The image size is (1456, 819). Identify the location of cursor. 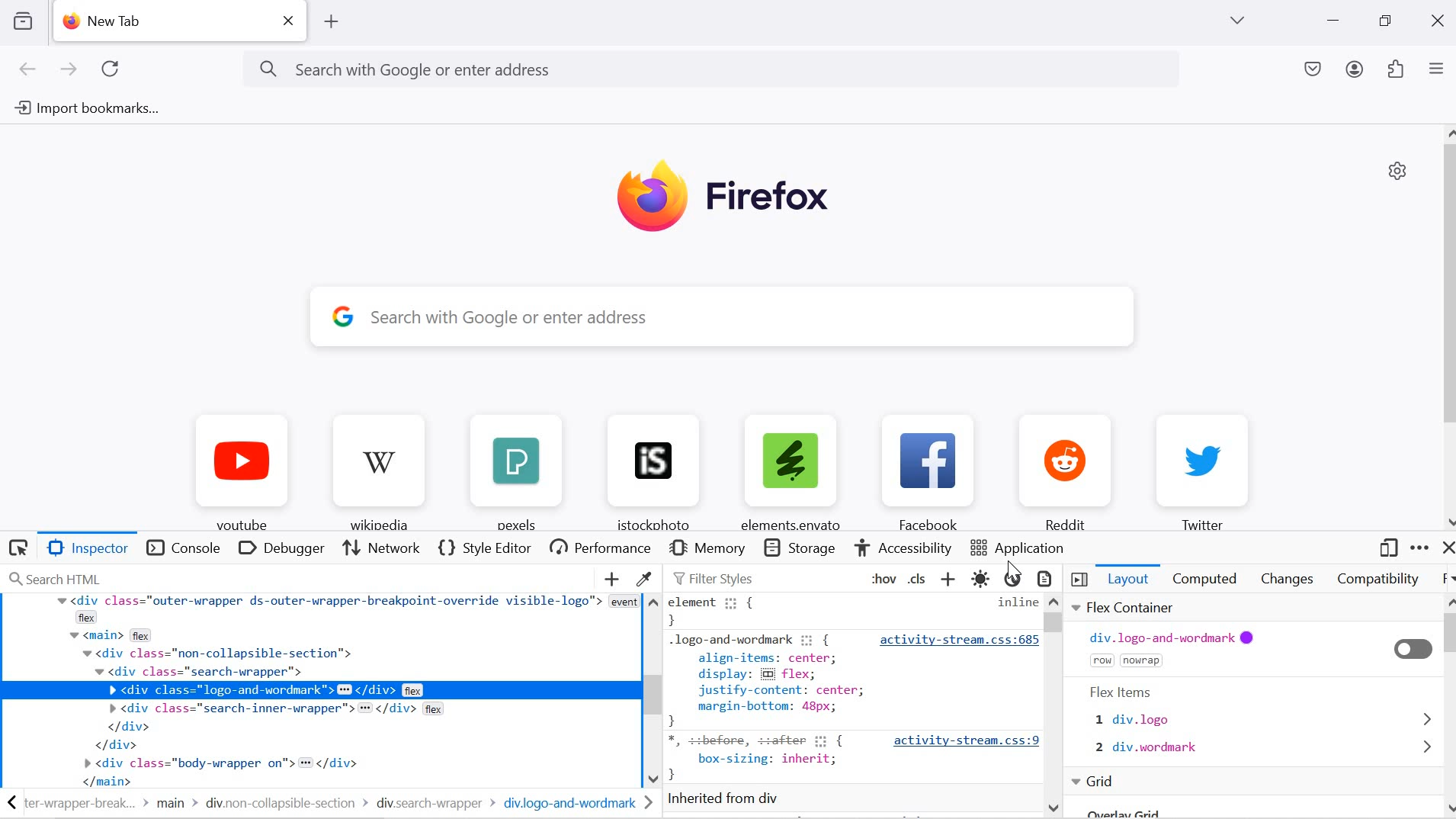
(1014, 565).